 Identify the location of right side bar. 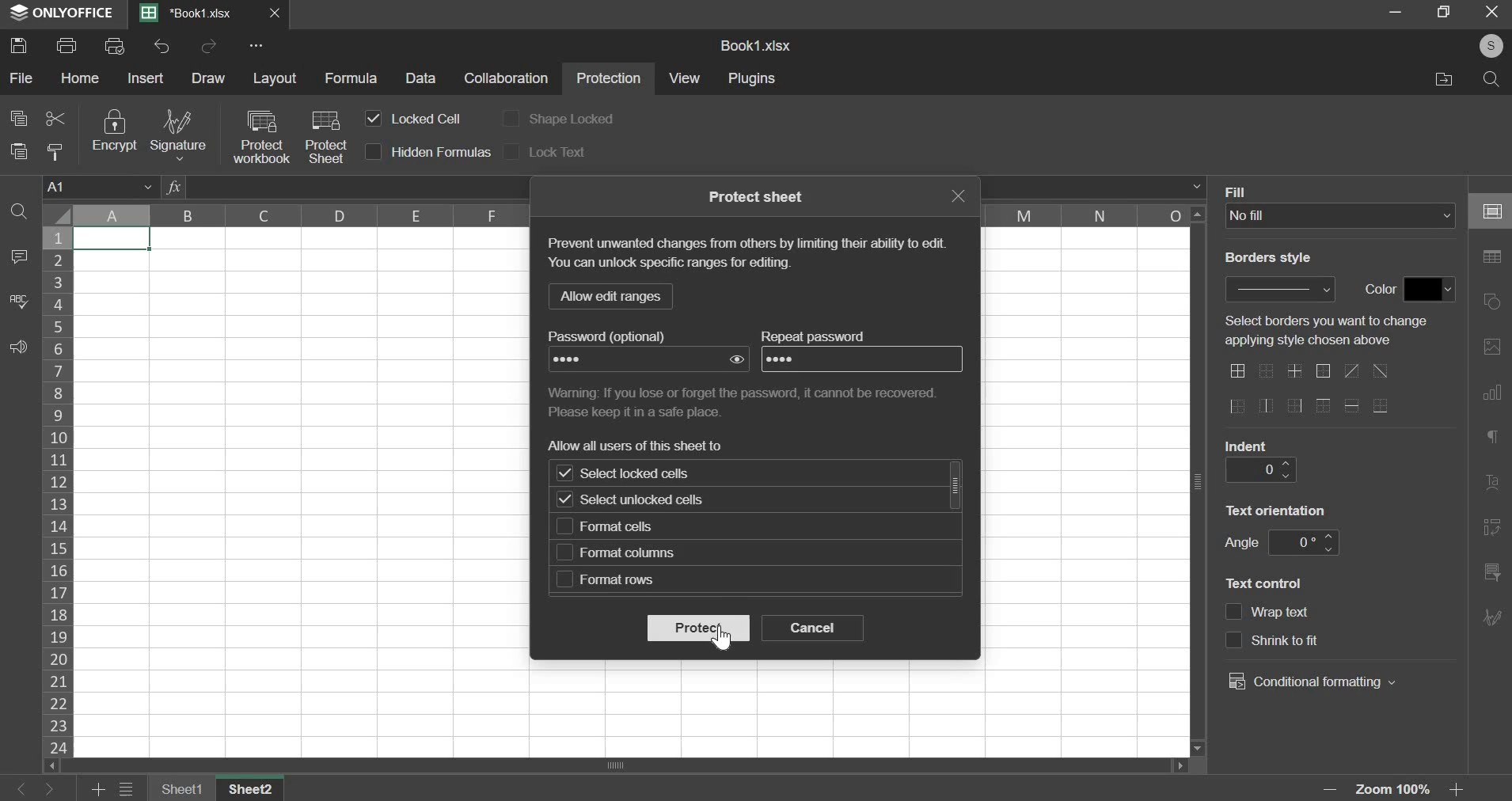
(1492, 526).